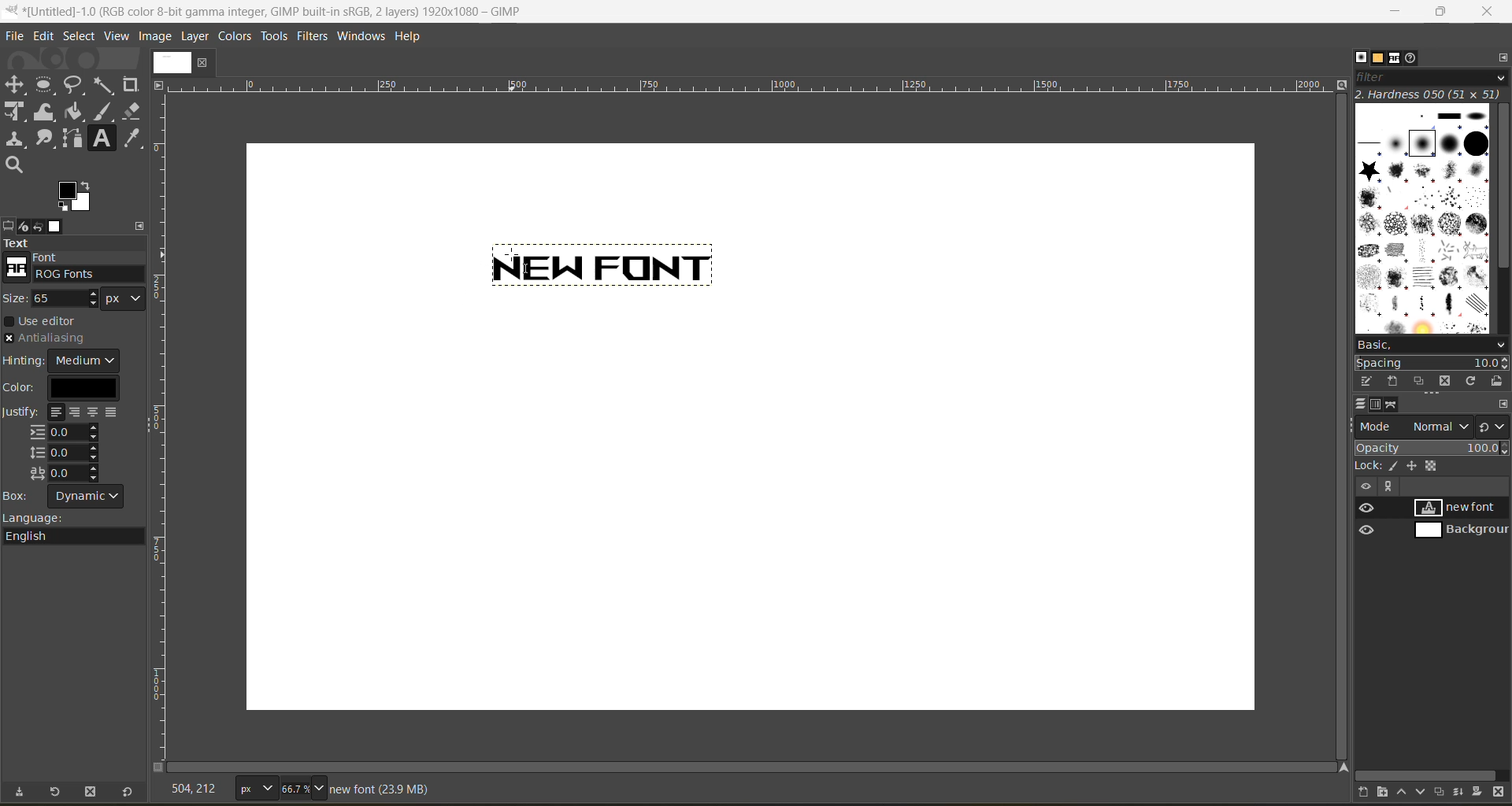  Describe the element at coordinates (9, 226) in the screenshot. I see `tool options` at that location.